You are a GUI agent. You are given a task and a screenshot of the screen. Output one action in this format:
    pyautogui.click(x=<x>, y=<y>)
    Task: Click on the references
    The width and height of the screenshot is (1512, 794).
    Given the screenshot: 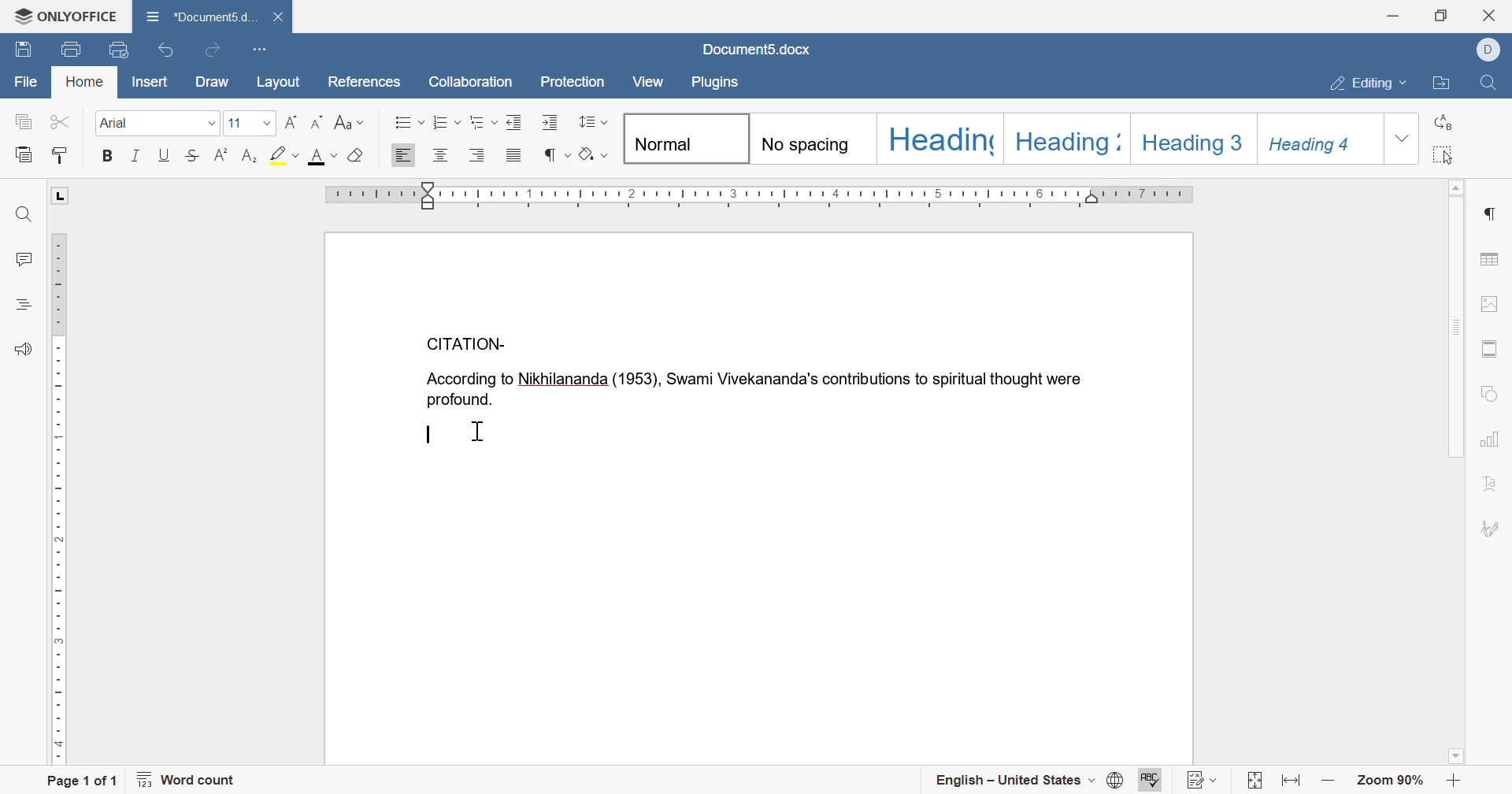 What is the action you would take?
    pyautogui.click(x=365, y=83)
    